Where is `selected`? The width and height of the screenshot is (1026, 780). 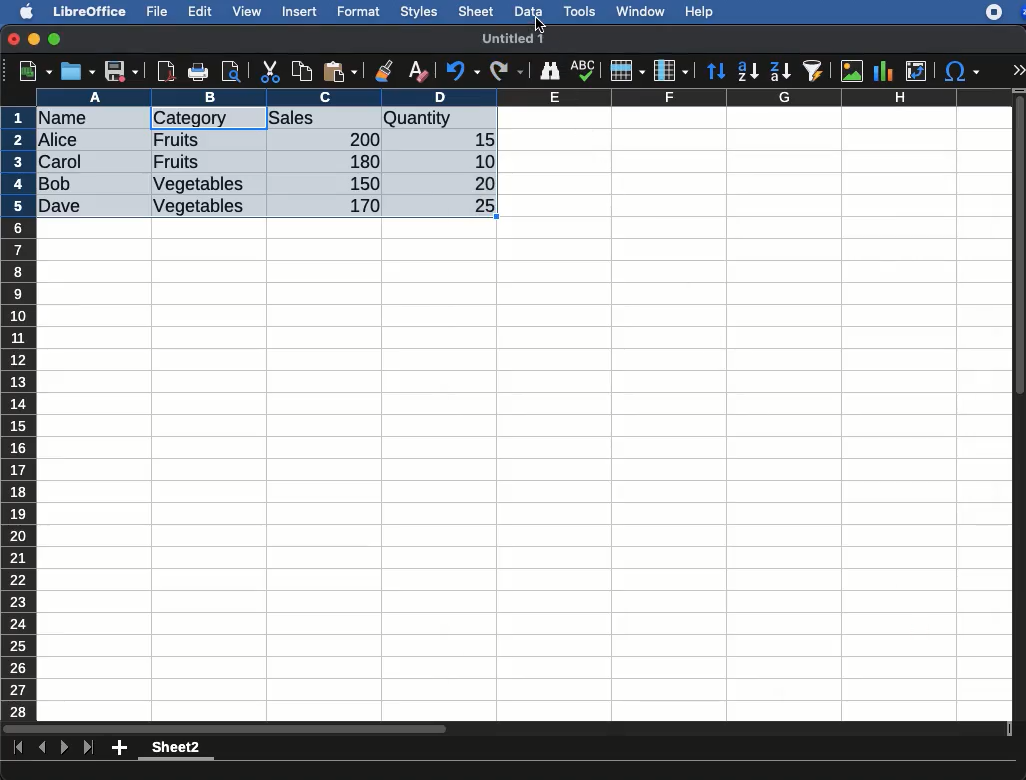 selected is located at coordinates (246, 118).